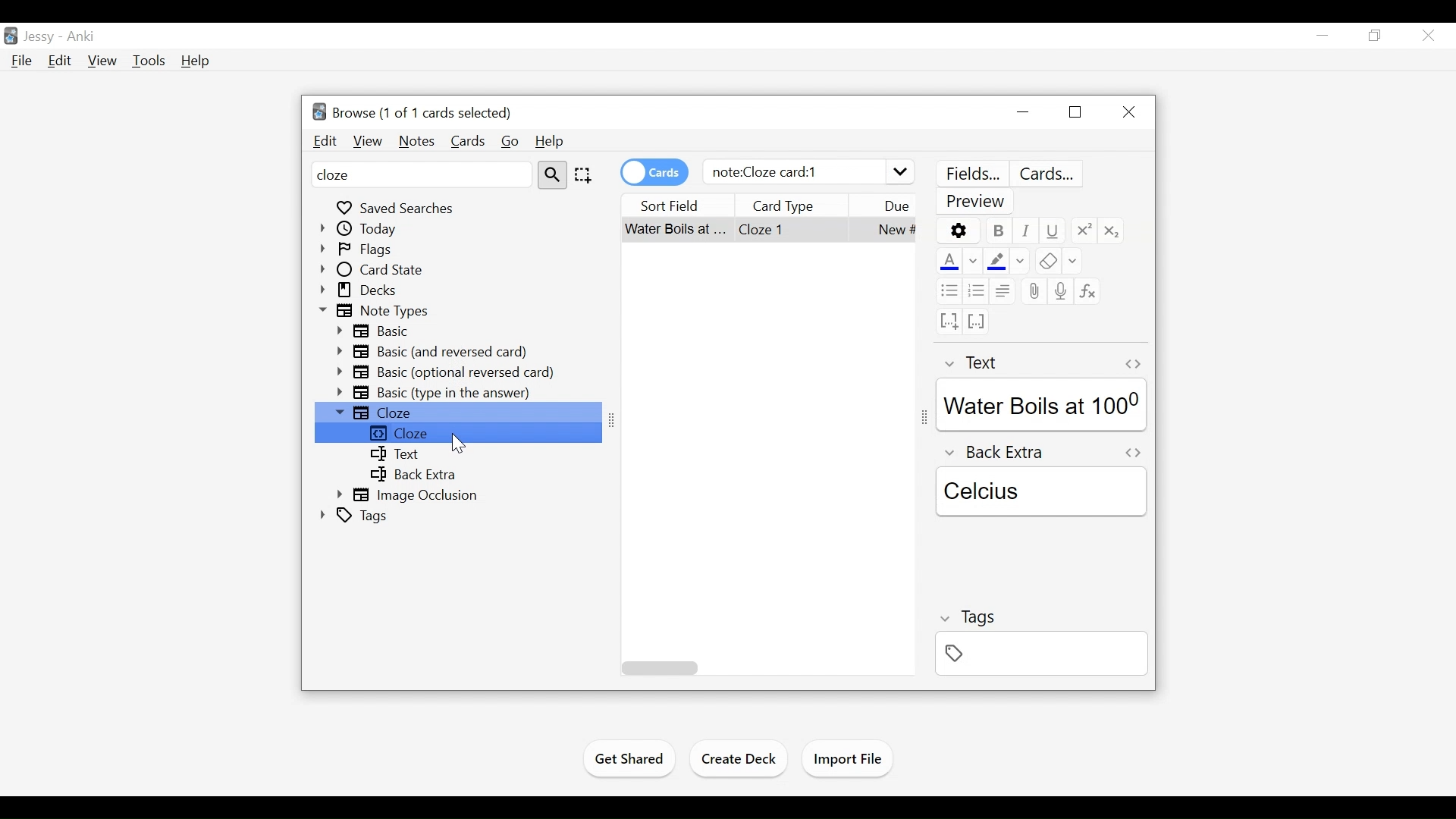  What do you see at coordinates (361, 290) in the screenshot?
I see `Decks` at bounding box center [361, 290].